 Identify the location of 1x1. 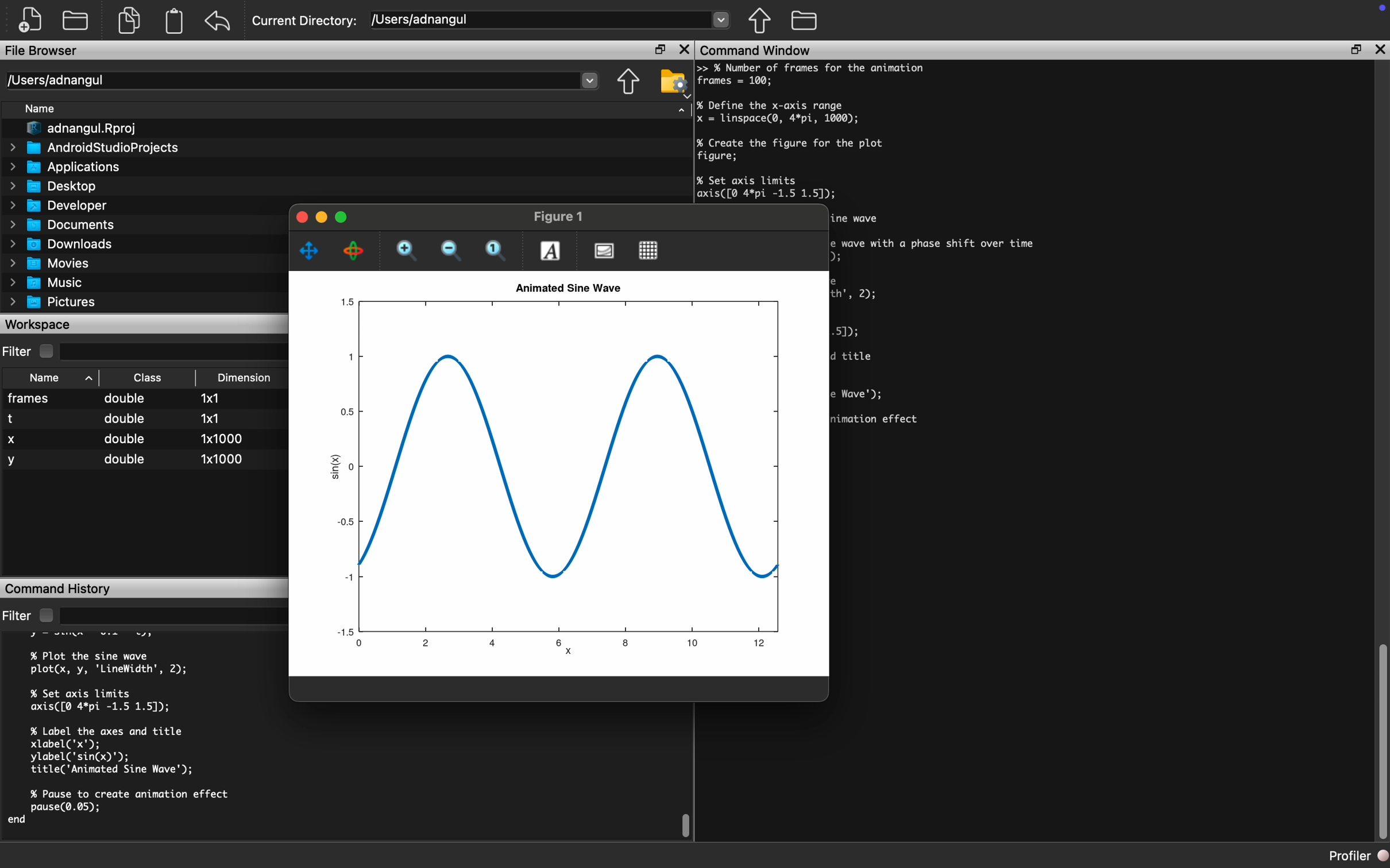
(210, 398).